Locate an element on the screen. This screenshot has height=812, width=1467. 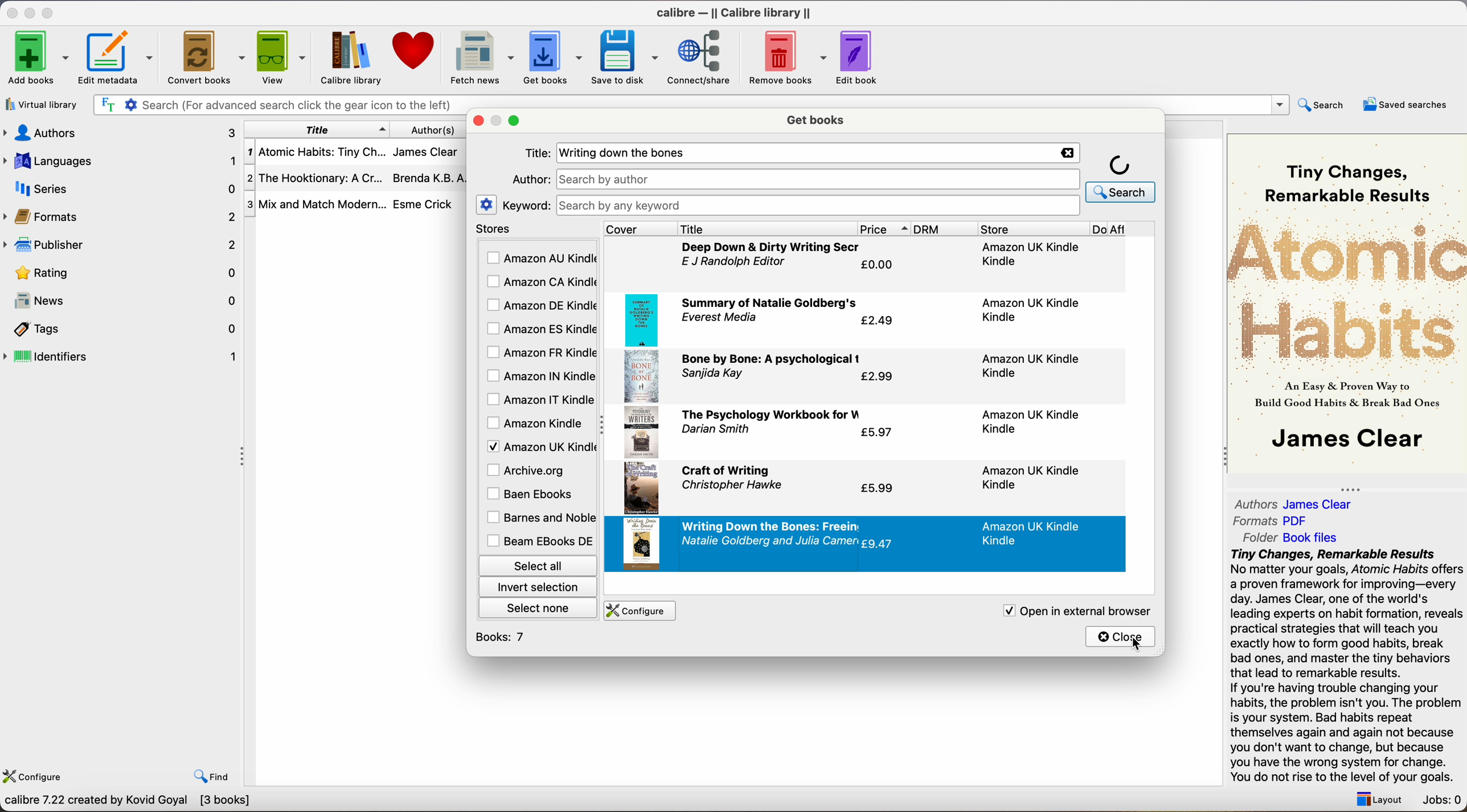
amazon DE Kindle is located at coordinates (539, 305).